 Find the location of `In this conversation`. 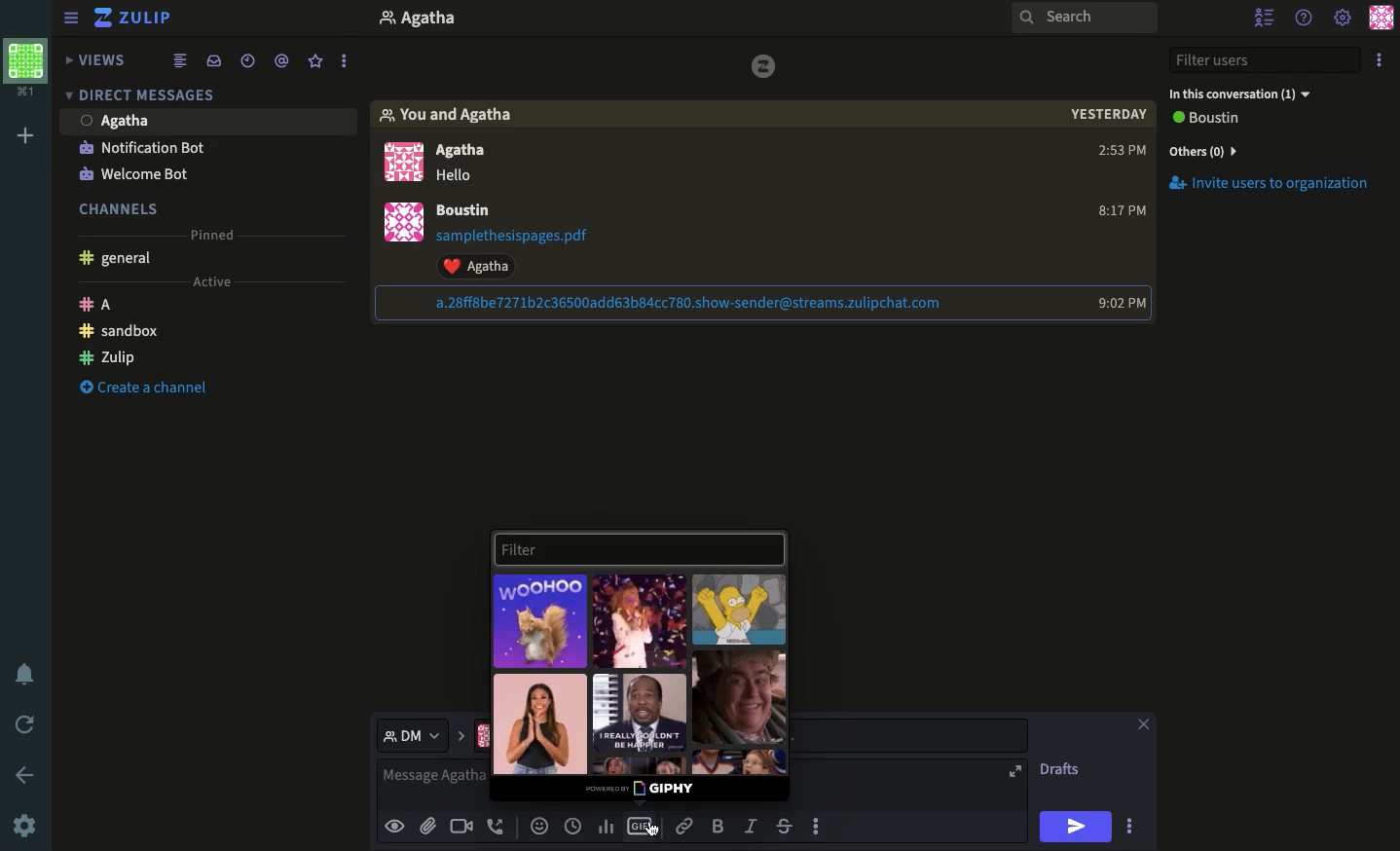

In this conversation is located at coordinates (1244, 95).